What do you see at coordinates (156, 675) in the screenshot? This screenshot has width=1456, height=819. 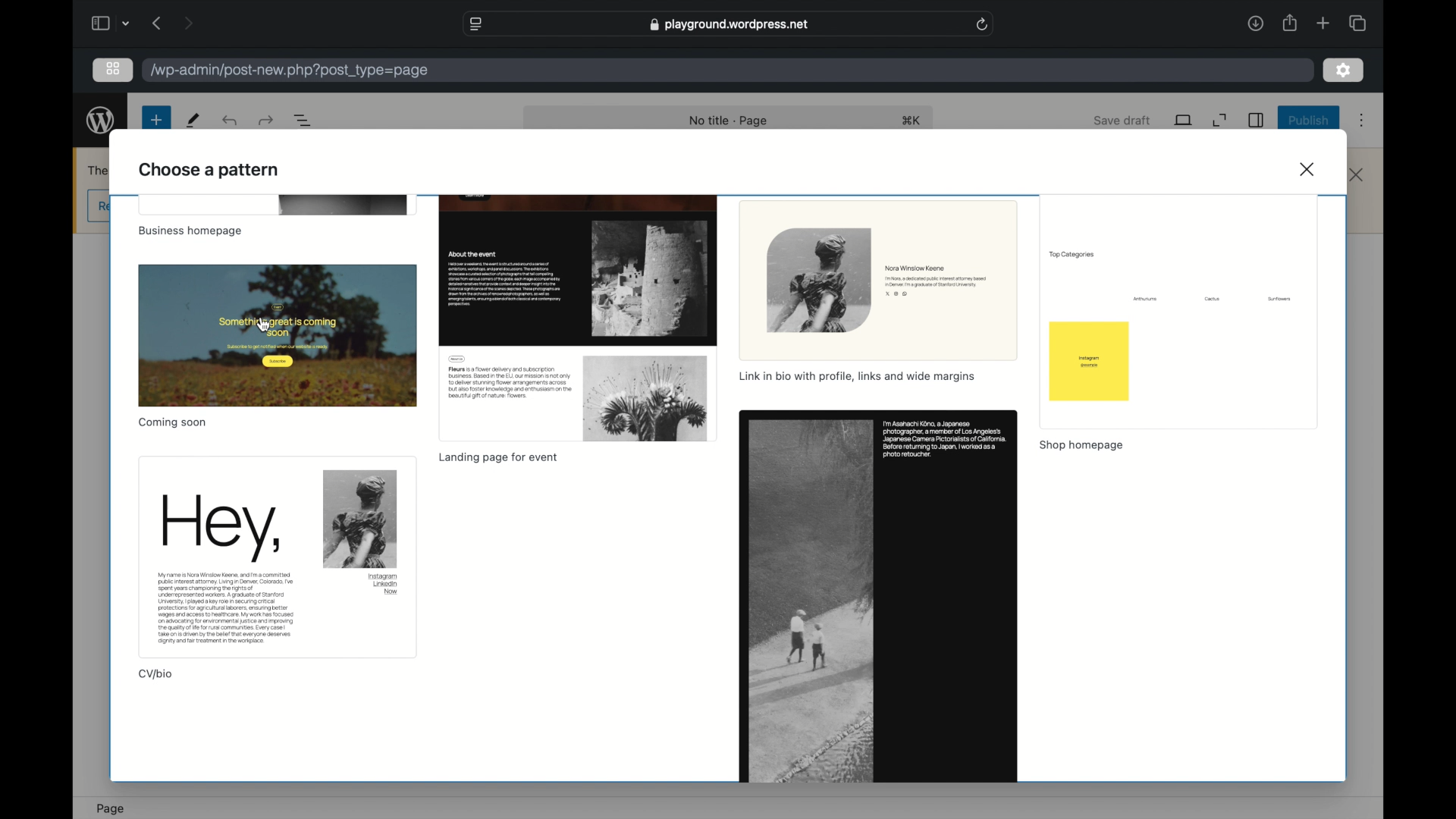 I see `cv/bio` at bounding box center [156, 675].